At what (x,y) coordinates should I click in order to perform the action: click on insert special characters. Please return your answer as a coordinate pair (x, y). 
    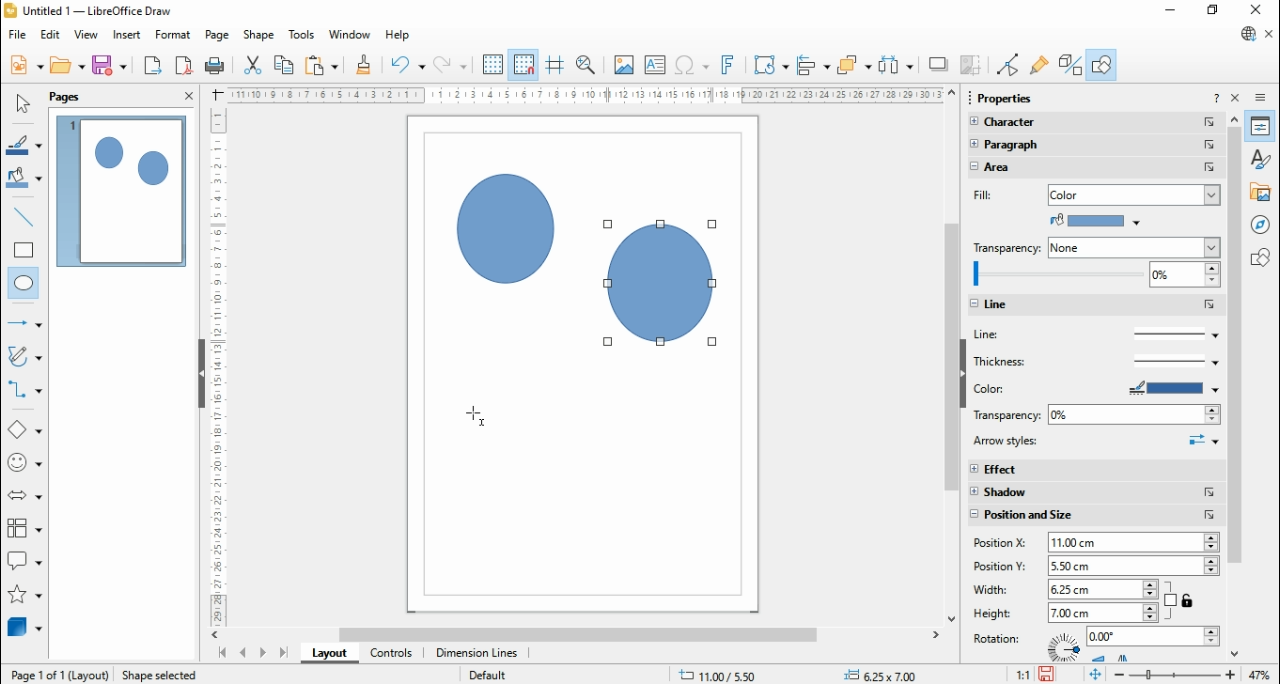
    Looking at the image, I should click on (693, 64).